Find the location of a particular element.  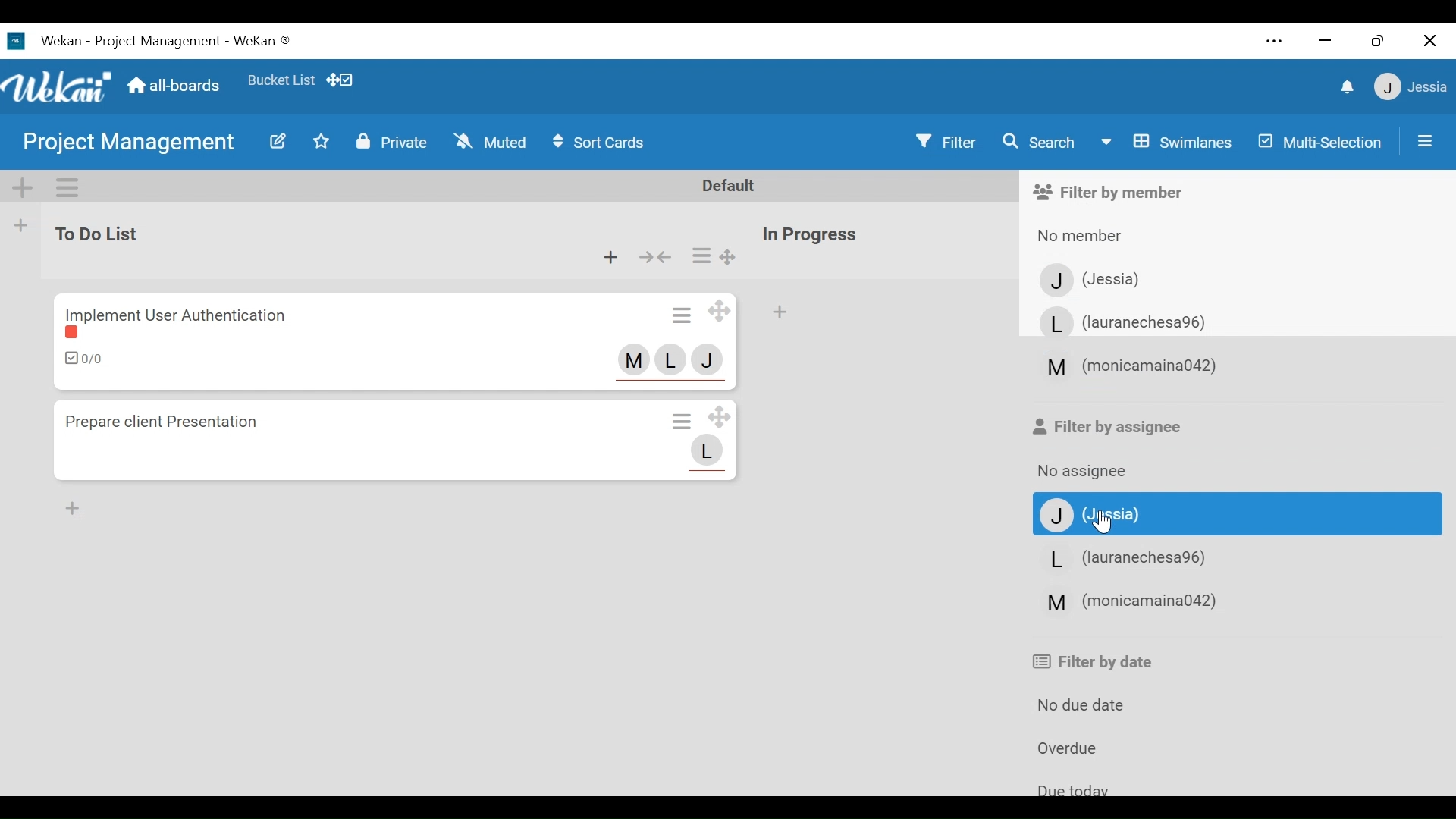

Open/Close Sidepane is located at coordinates (1423, 140).